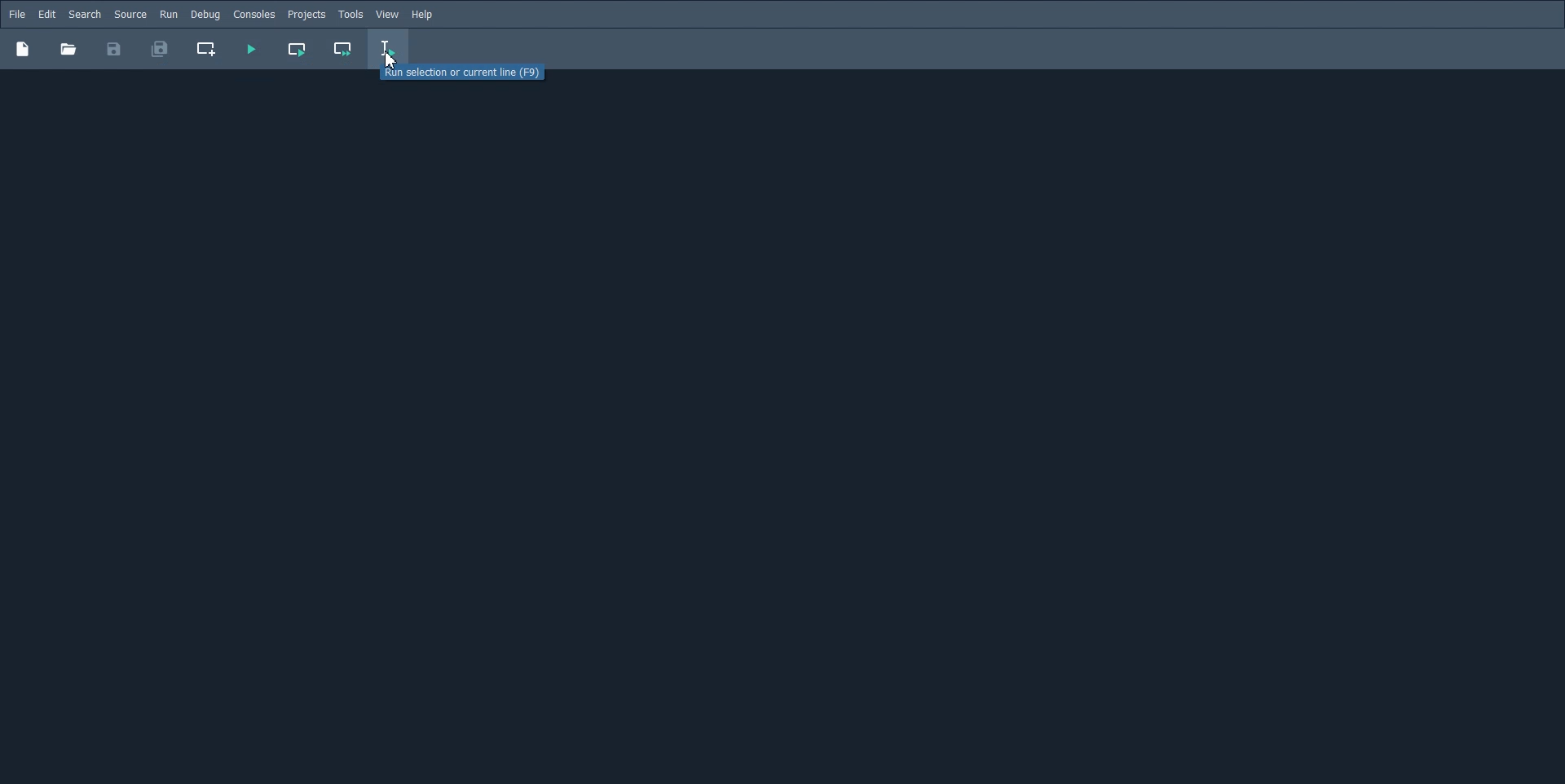 This screenshot has height=784, width=1565. What do you see at coordinates (342, 50) in the screenshot?
I see `Run Current cell and go to next cell` at bounding box center [342, 50].